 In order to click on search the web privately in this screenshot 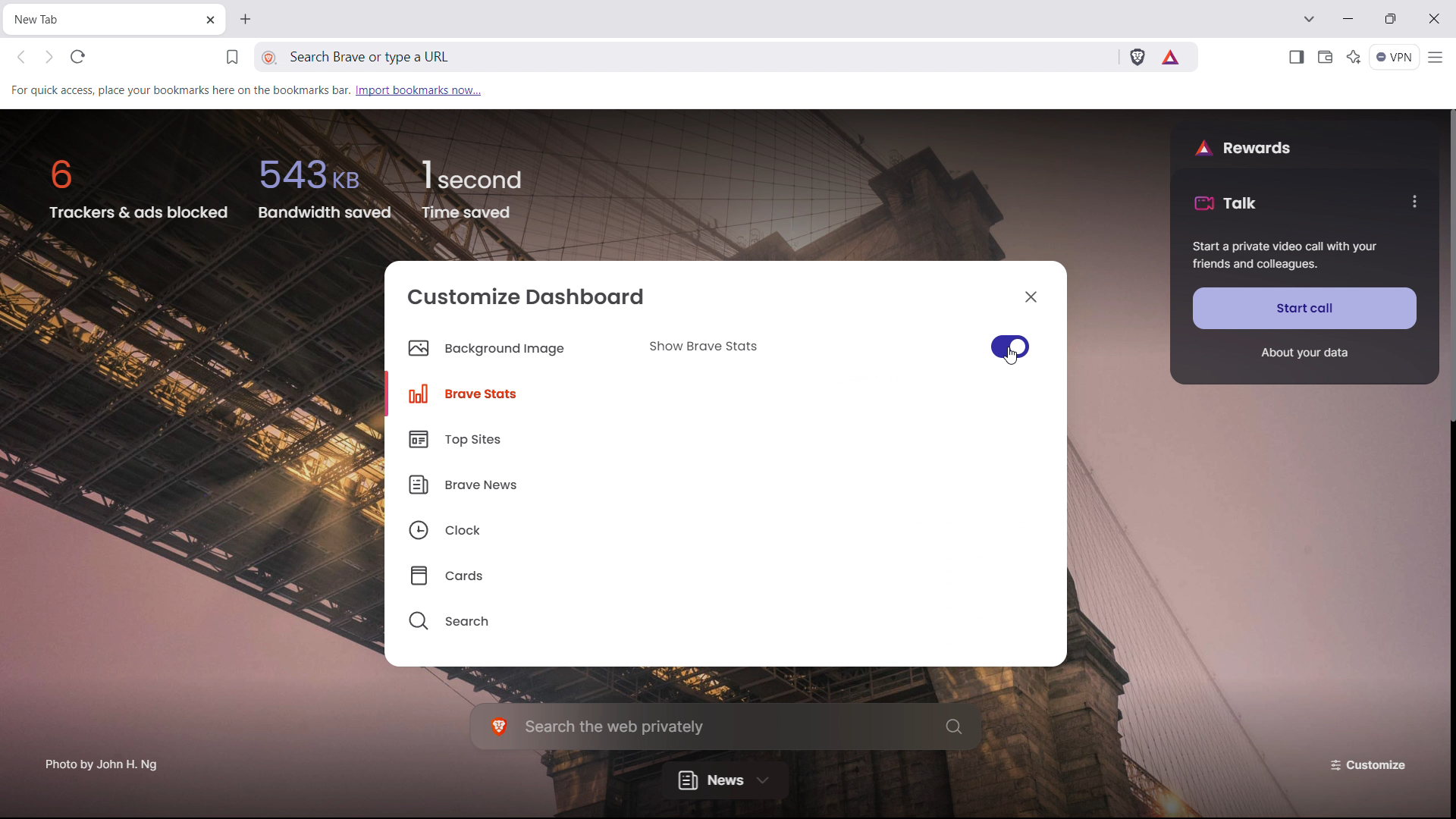, I will do `click(726, 726)`.